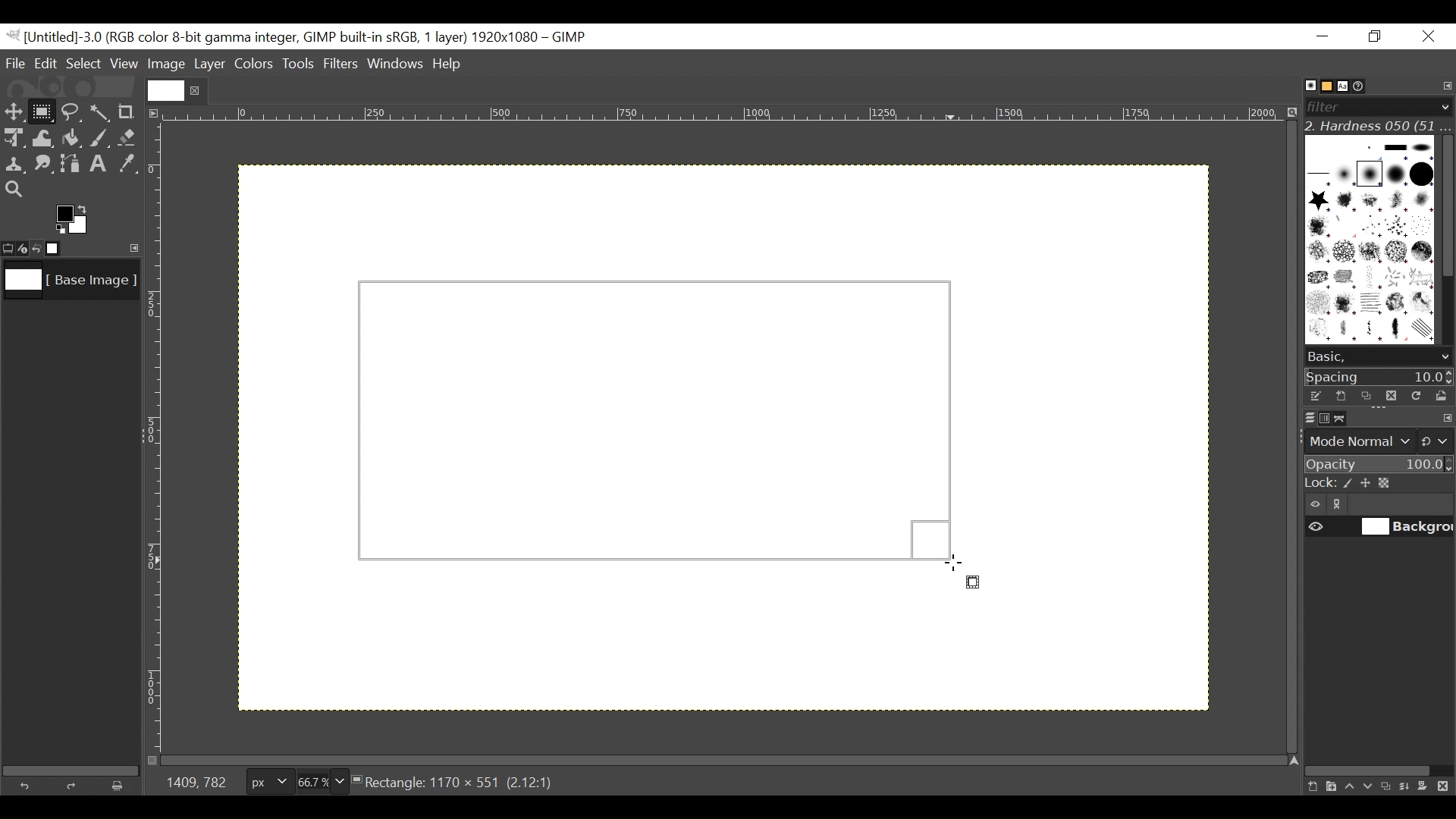  Describe the element at coordinates (131, 247) in the screenshot. I see `Configure this tab` at that location.